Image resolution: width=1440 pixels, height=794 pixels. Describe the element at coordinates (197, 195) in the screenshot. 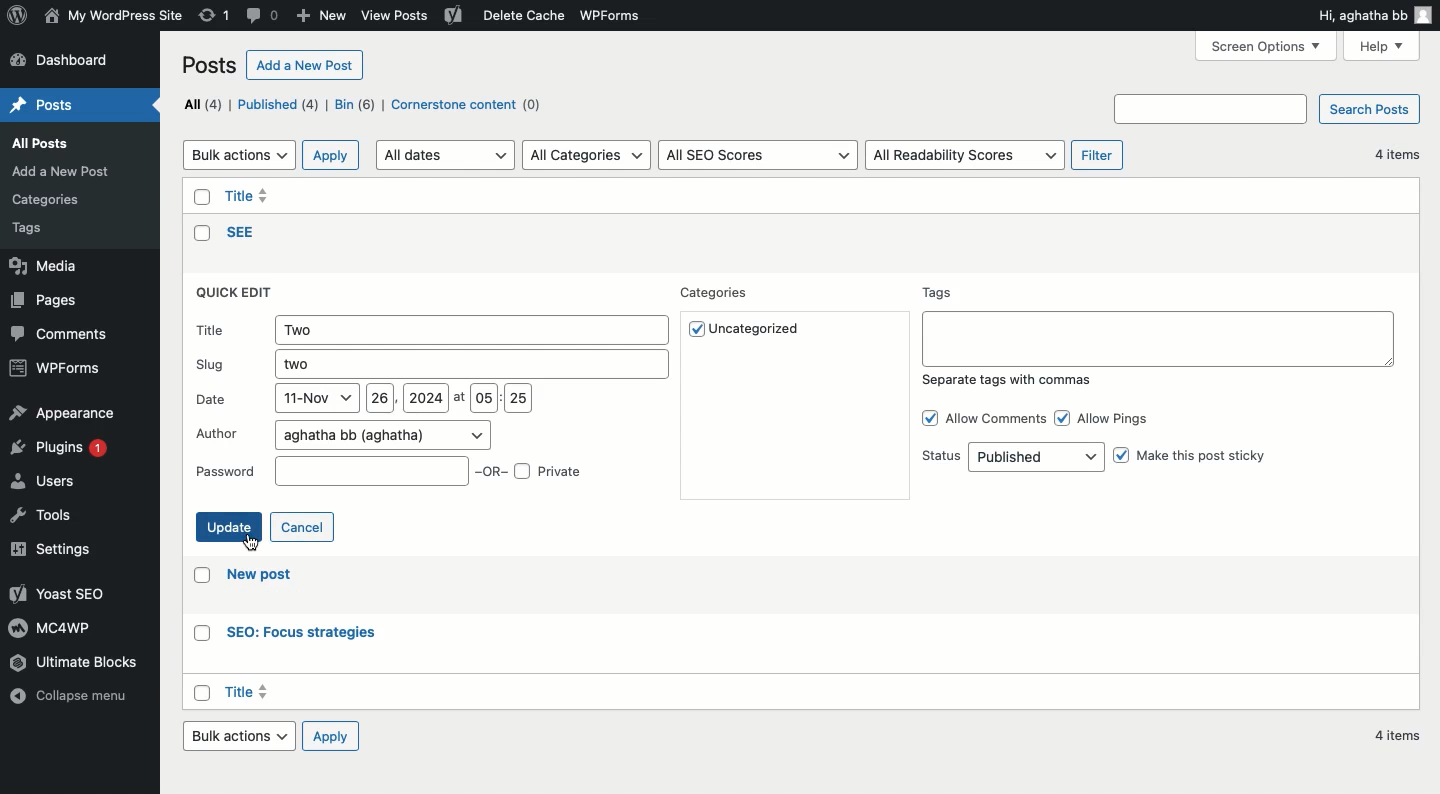

I see `checkbox` at that location.